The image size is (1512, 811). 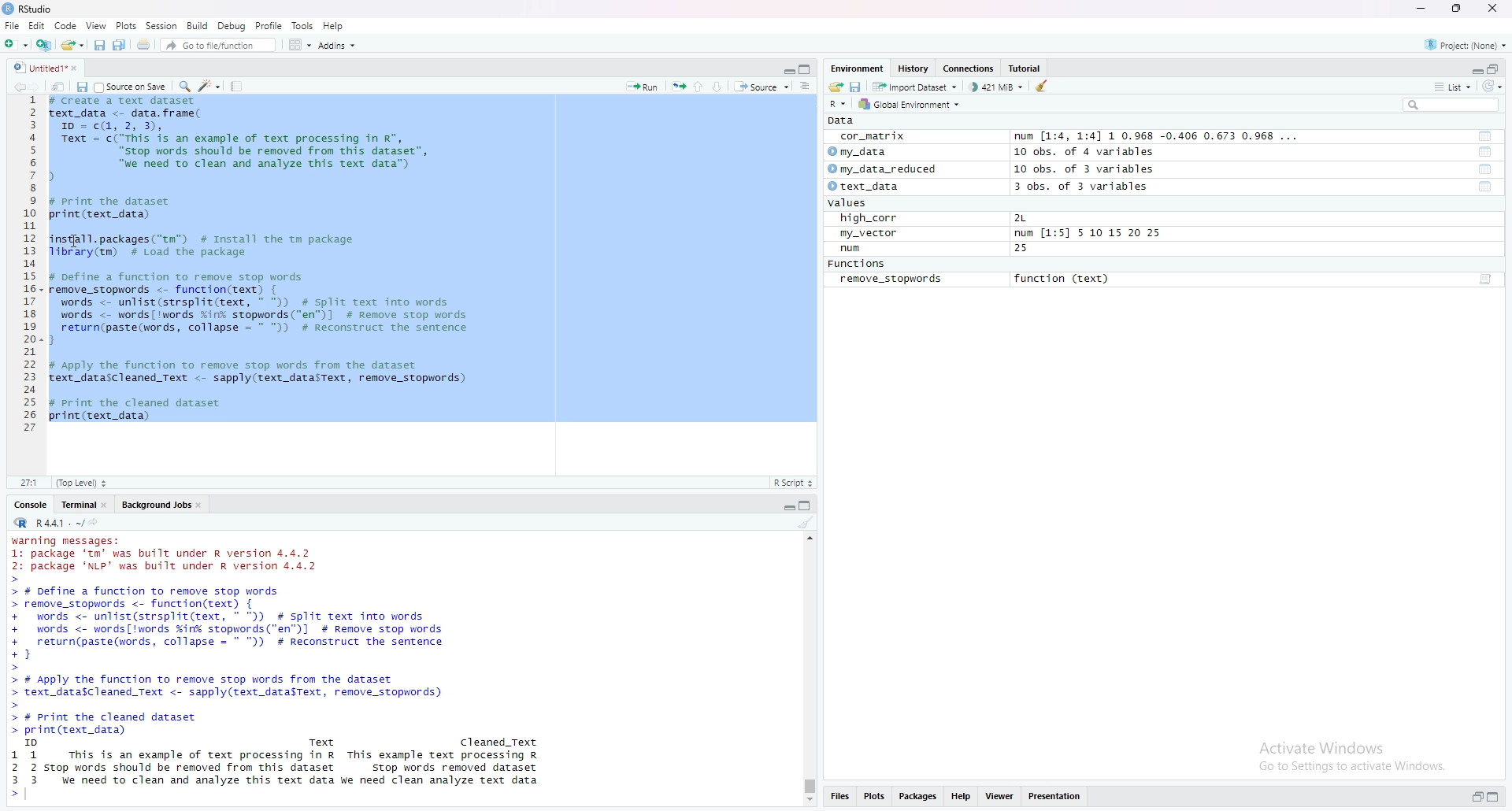 I want to click on clear object from the workspace, so click(x=1043, y=88).